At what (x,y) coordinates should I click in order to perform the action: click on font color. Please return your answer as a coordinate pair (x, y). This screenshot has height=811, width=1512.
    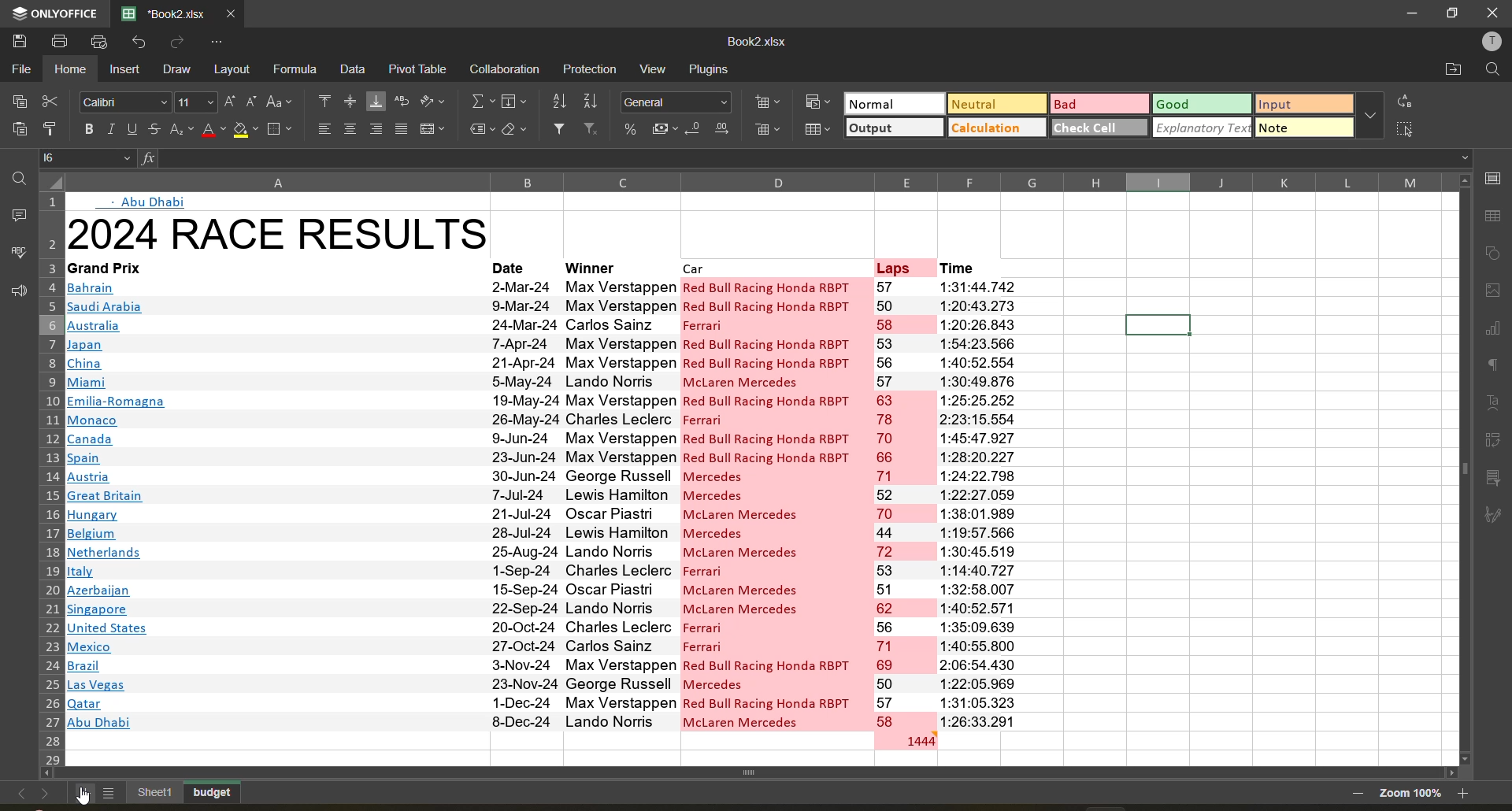
    Looking at the image, I should click on (213, 133).